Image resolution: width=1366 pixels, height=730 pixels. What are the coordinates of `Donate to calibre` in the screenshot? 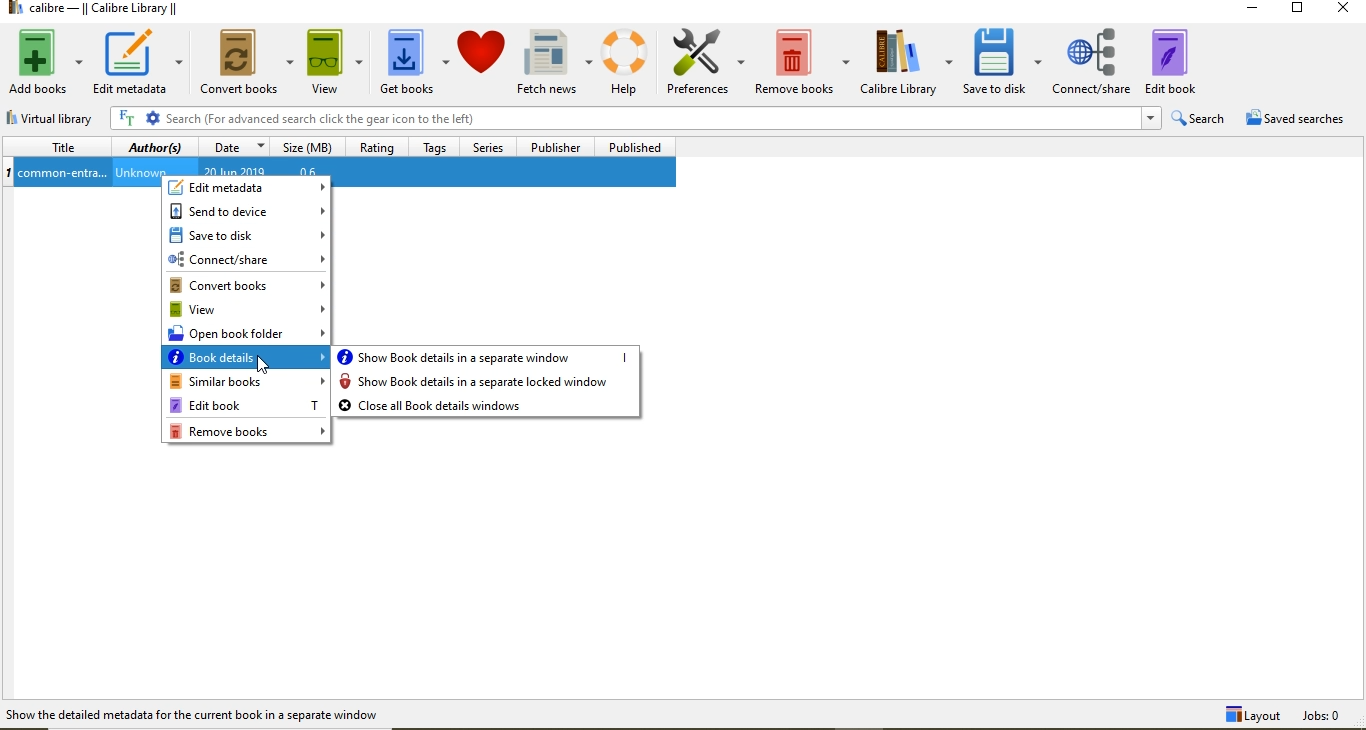 It's located at (483, 62).